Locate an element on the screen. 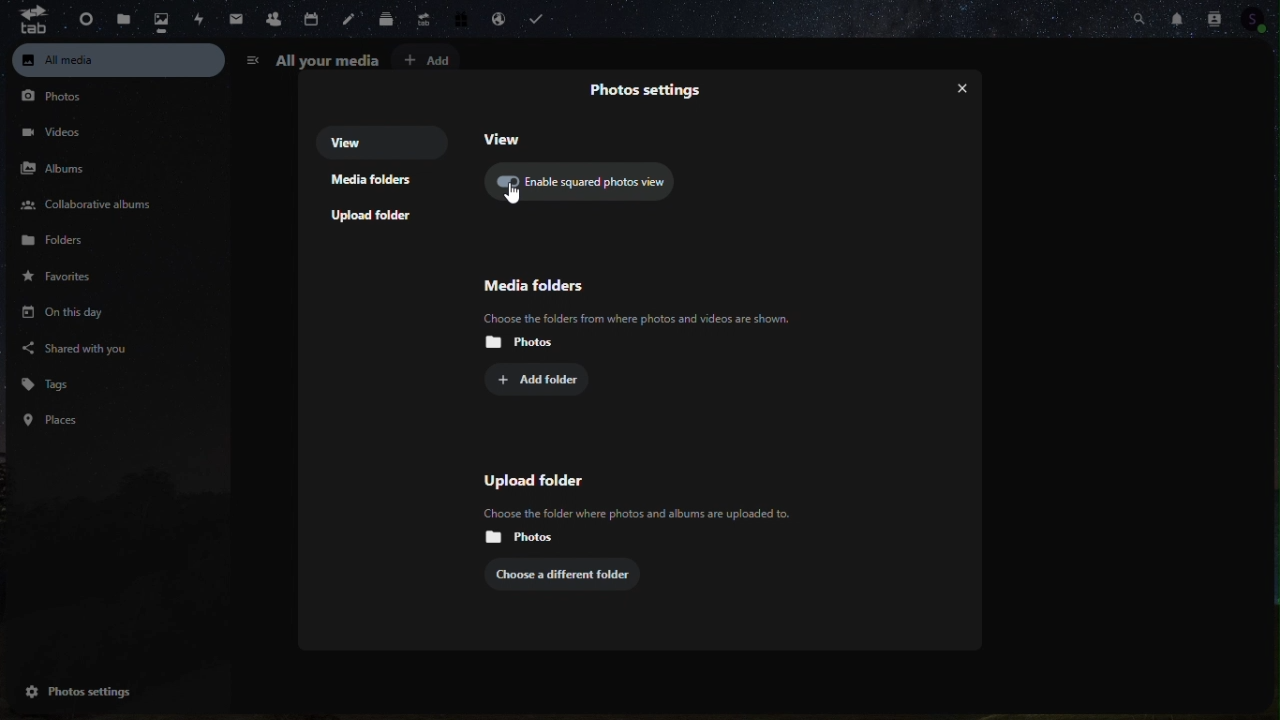 The image size is (1280, 720).  is located at coordinates (632, 513).